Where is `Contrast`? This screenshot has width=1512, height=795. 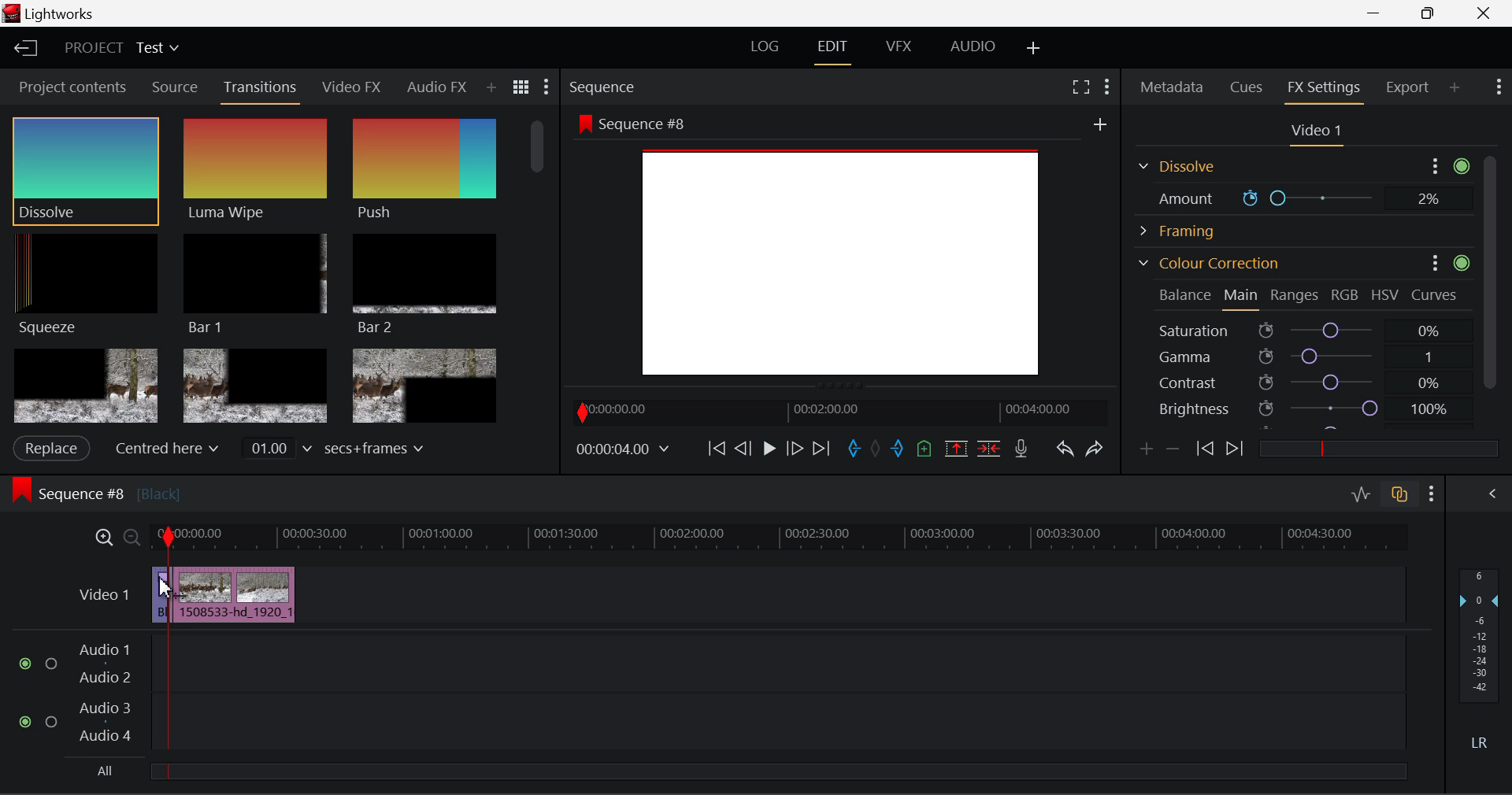 Contrast is located at coordinates (1303, 384).